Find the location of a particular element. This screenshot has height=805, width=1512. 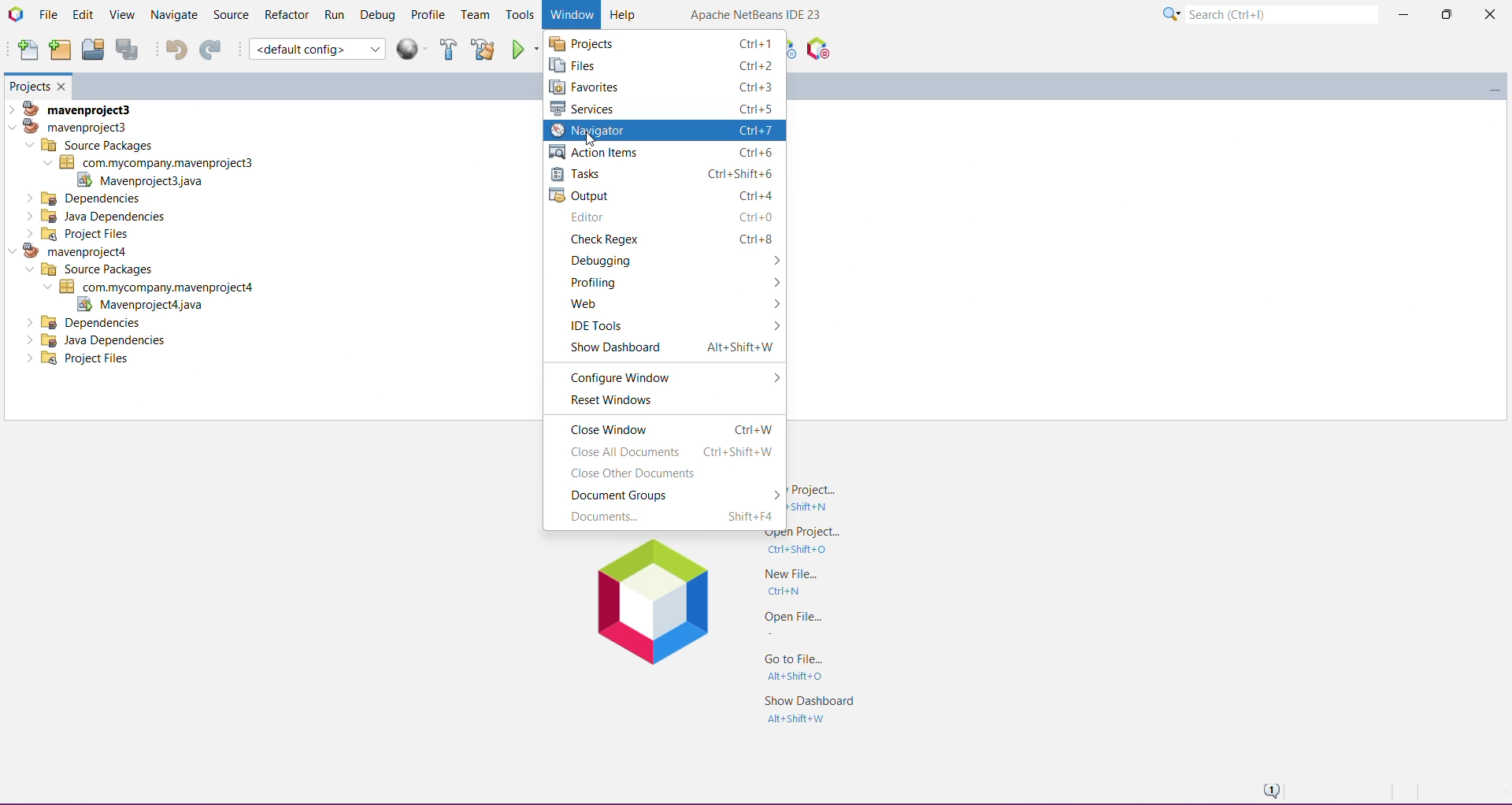

New Files... is located at coordinates (789, 581).